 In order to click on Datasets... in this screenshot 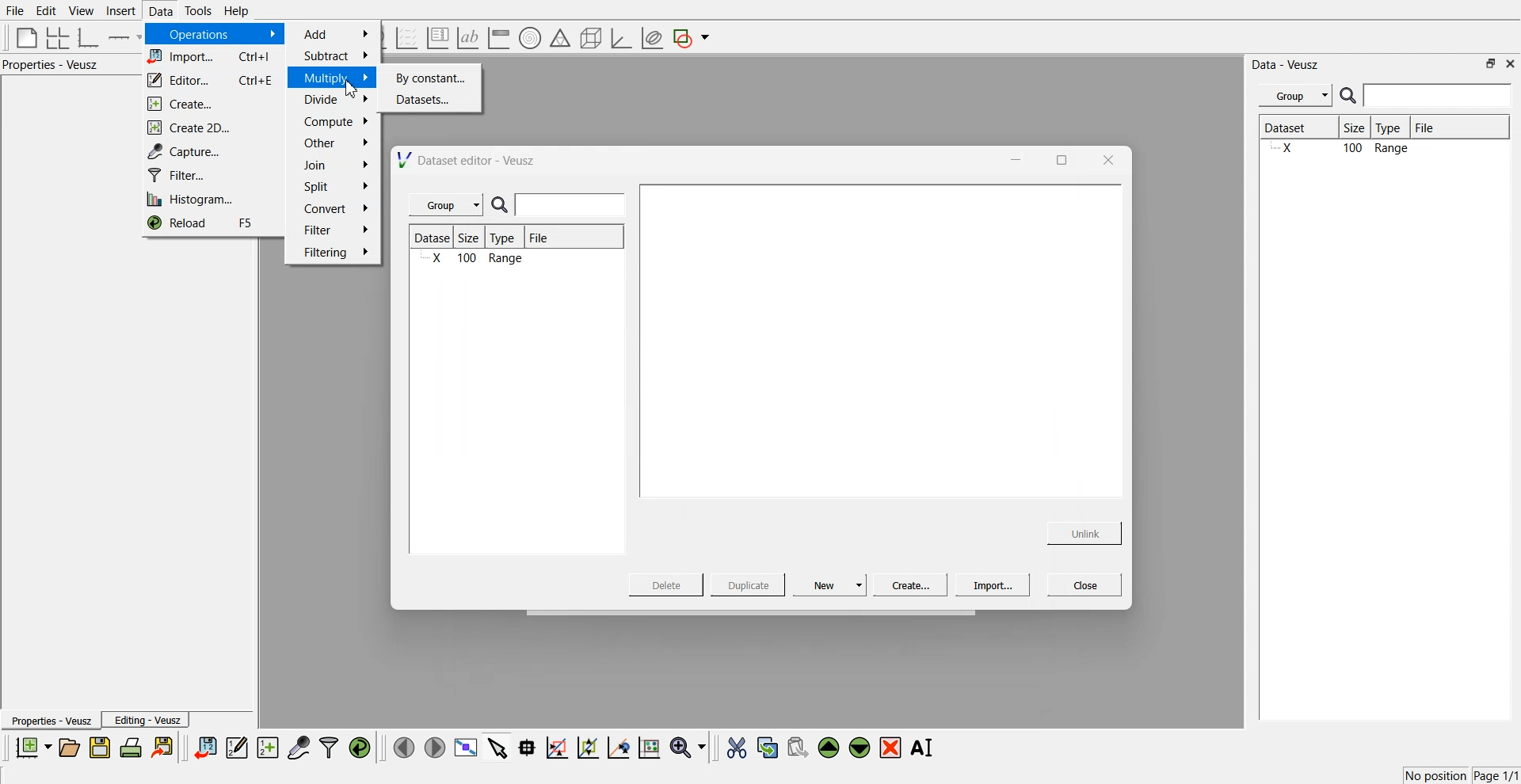, I will do `click(434, 101)`.